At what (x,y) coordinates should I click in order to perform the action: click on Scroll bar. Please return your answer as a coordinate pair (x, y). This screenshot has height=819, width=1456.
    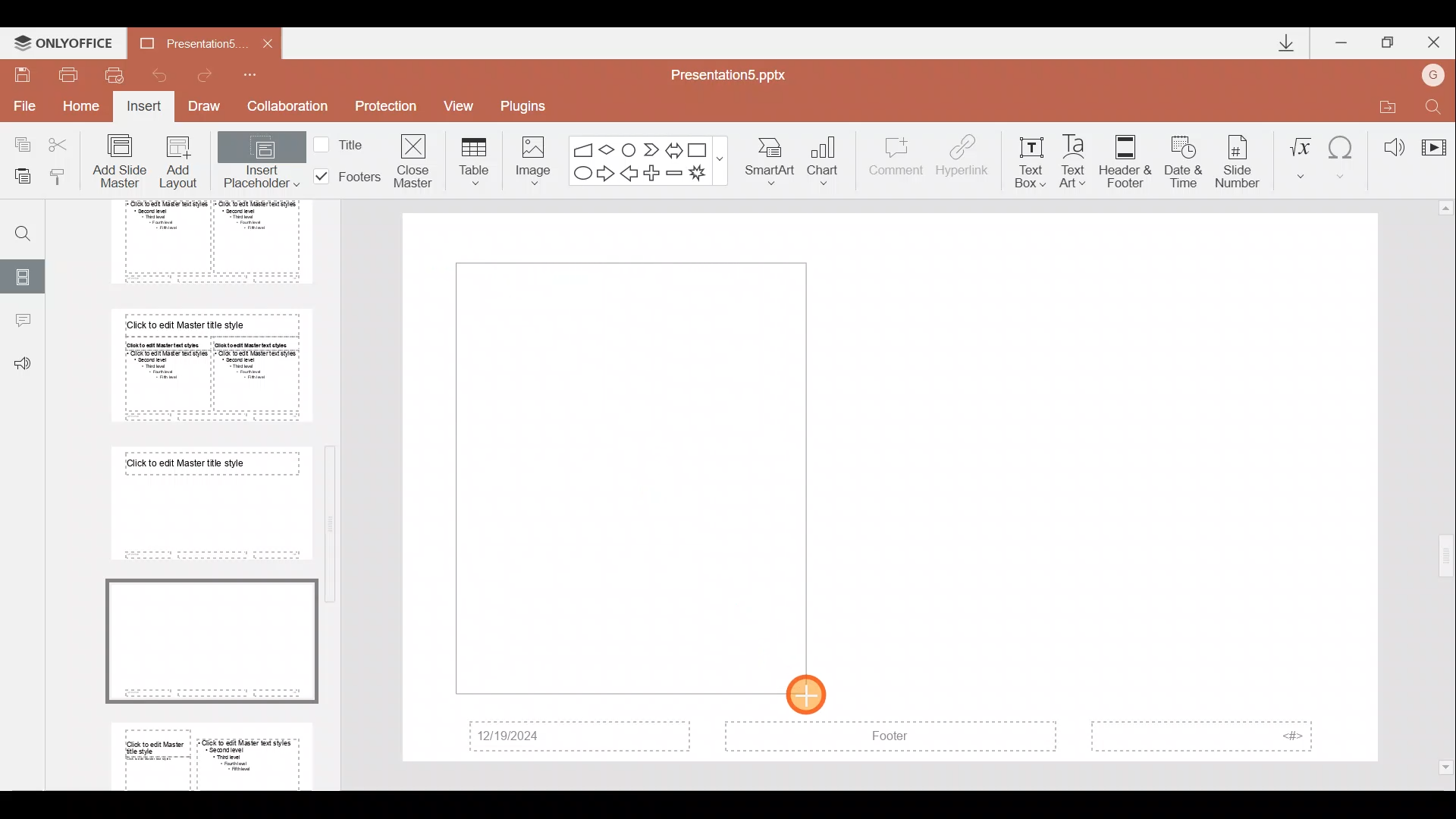
    Looking at the image, I should click on (334, 485).